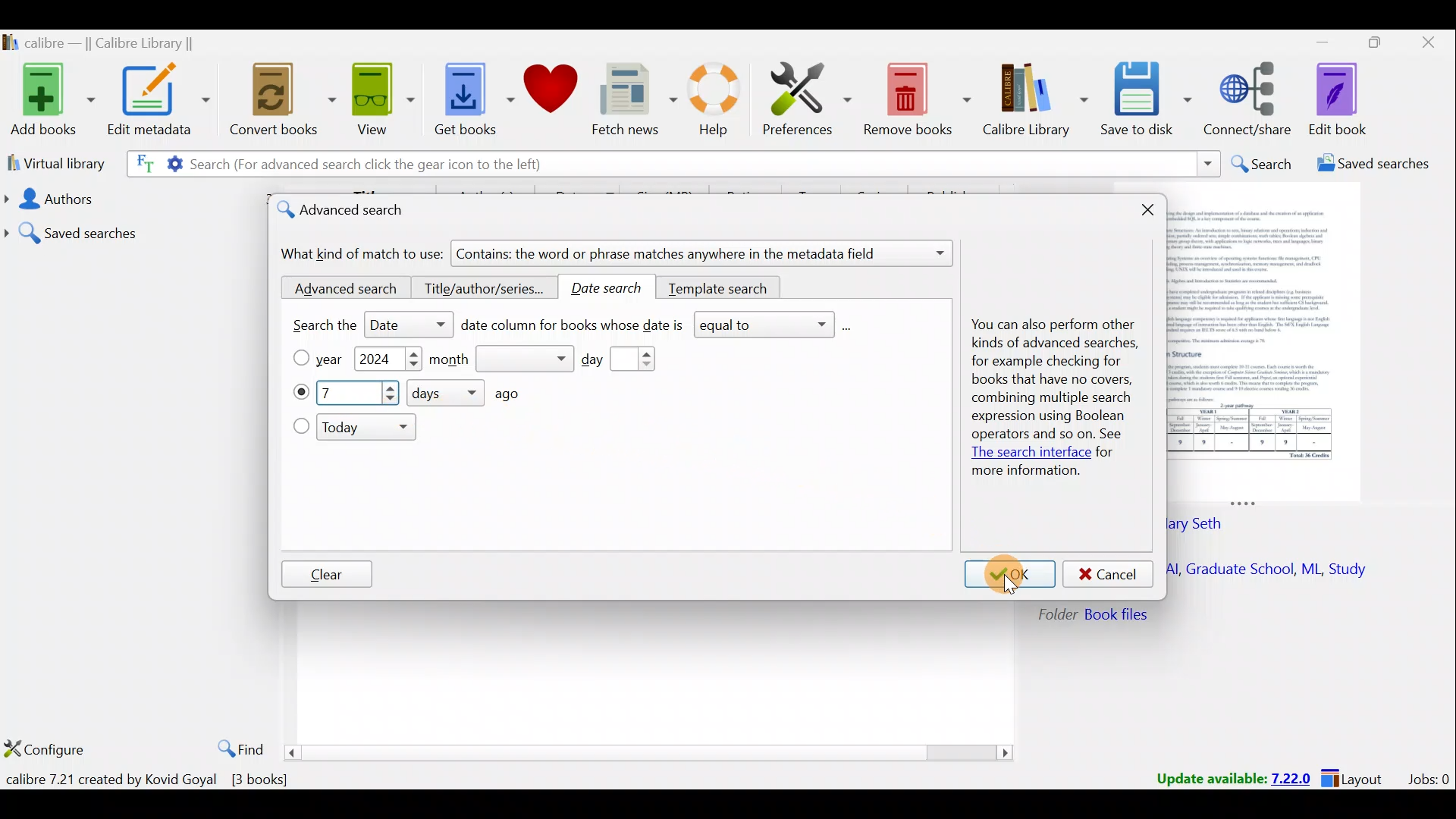  Describe the element at coordinates (45, 751) in the screenshot. I see `Configure` at that location.